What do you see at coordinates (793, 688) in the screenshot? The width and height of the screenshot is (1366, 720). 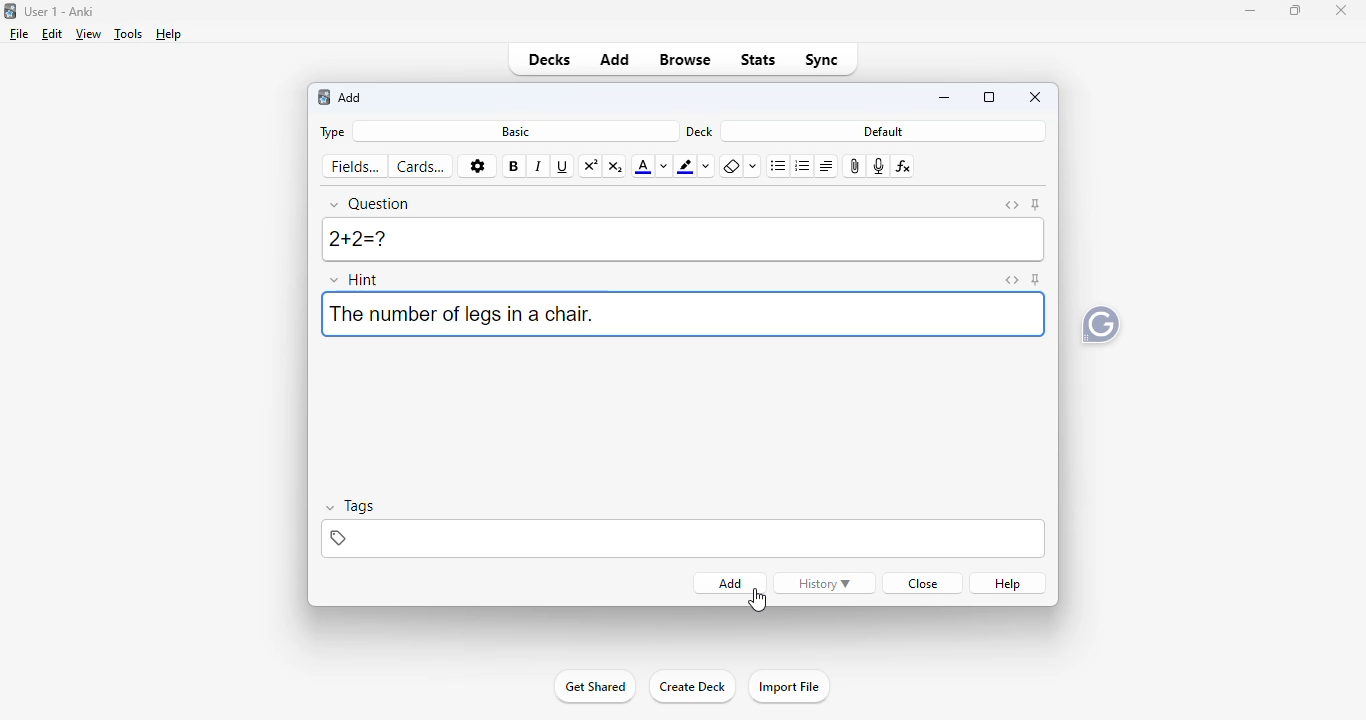 I see `Import File` at bounding box center [793, 688].